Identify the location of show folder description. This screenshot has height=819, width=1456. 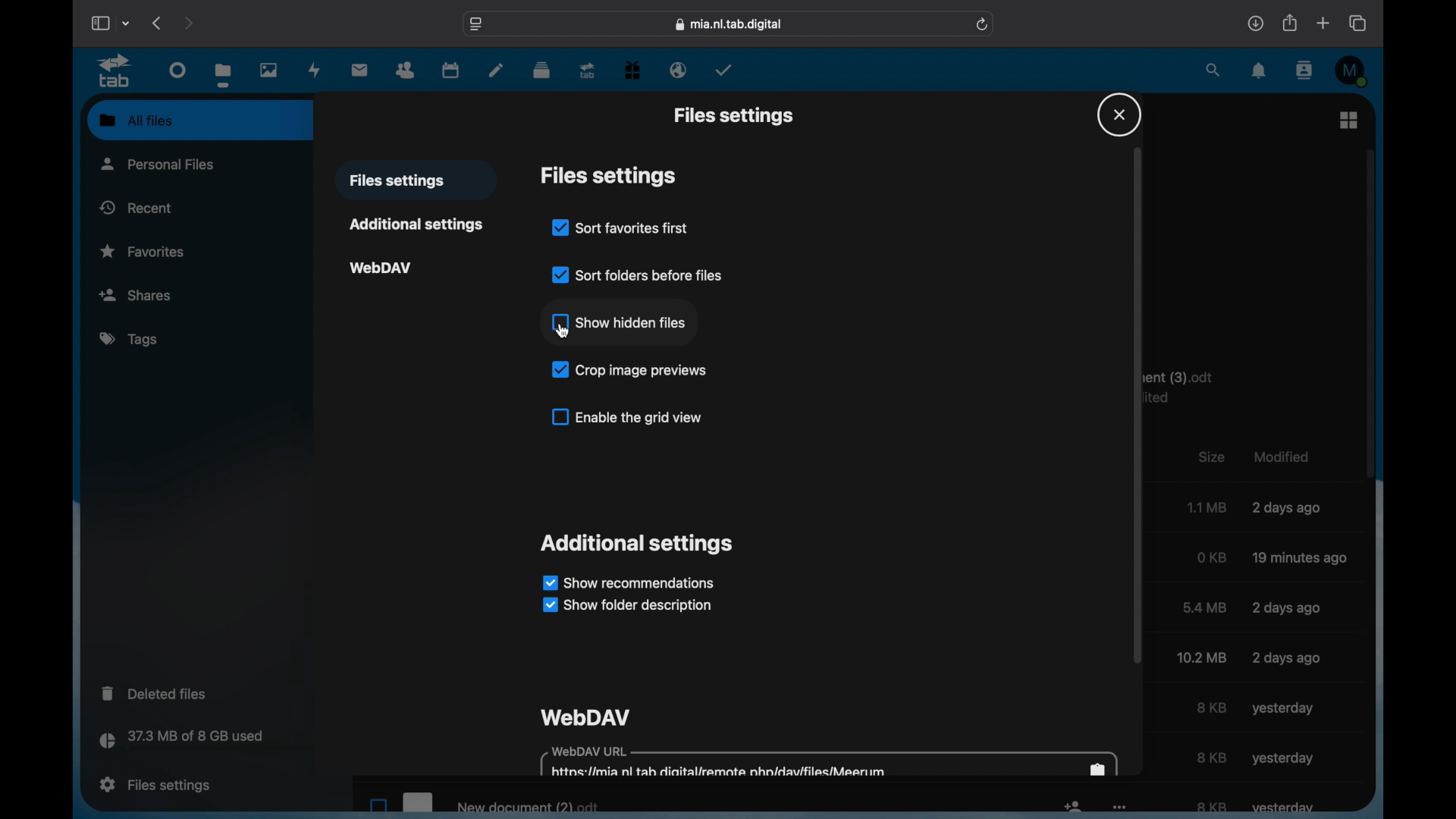
(628, 606).